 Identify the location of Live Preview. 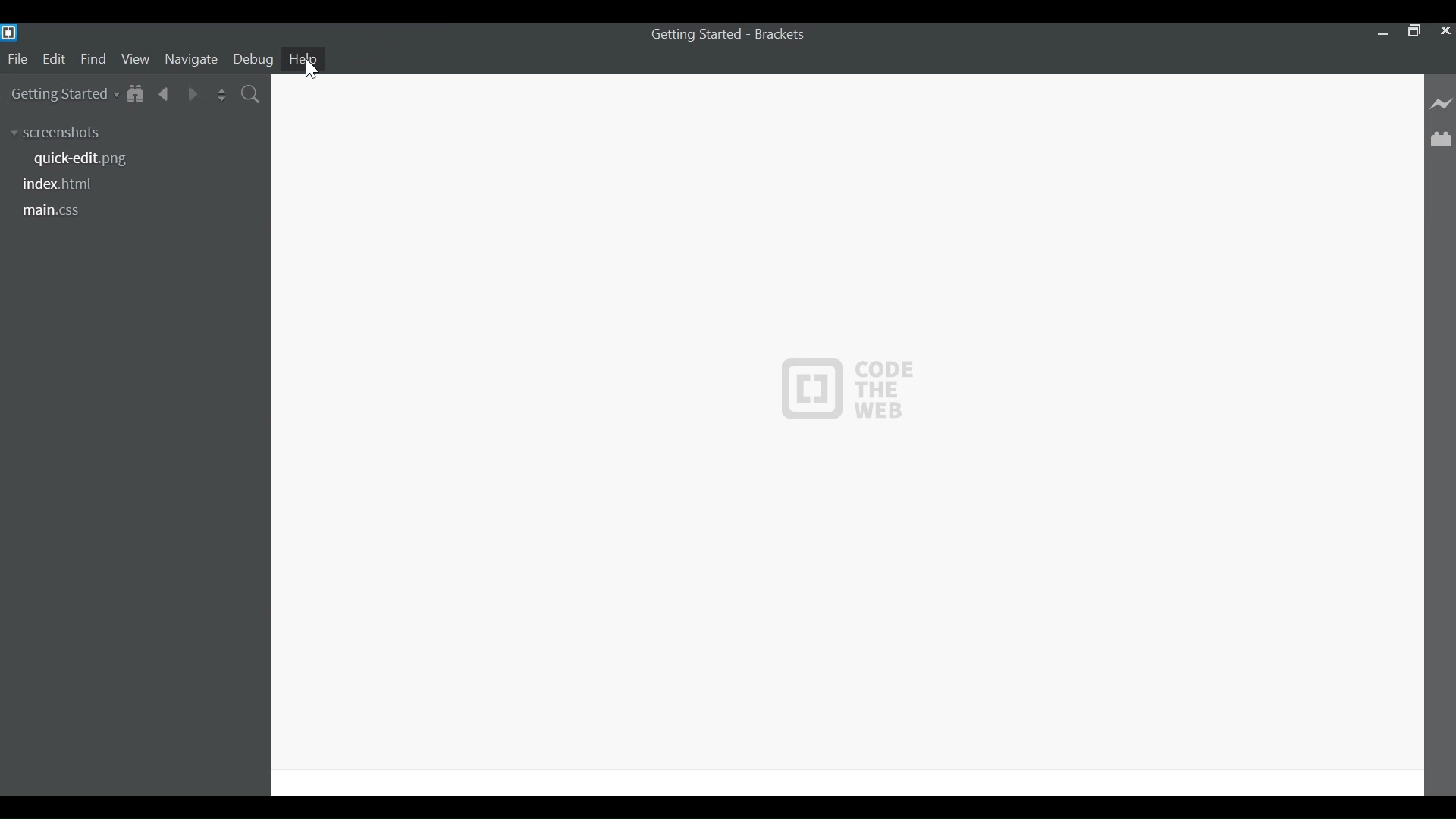
(1442, 104).